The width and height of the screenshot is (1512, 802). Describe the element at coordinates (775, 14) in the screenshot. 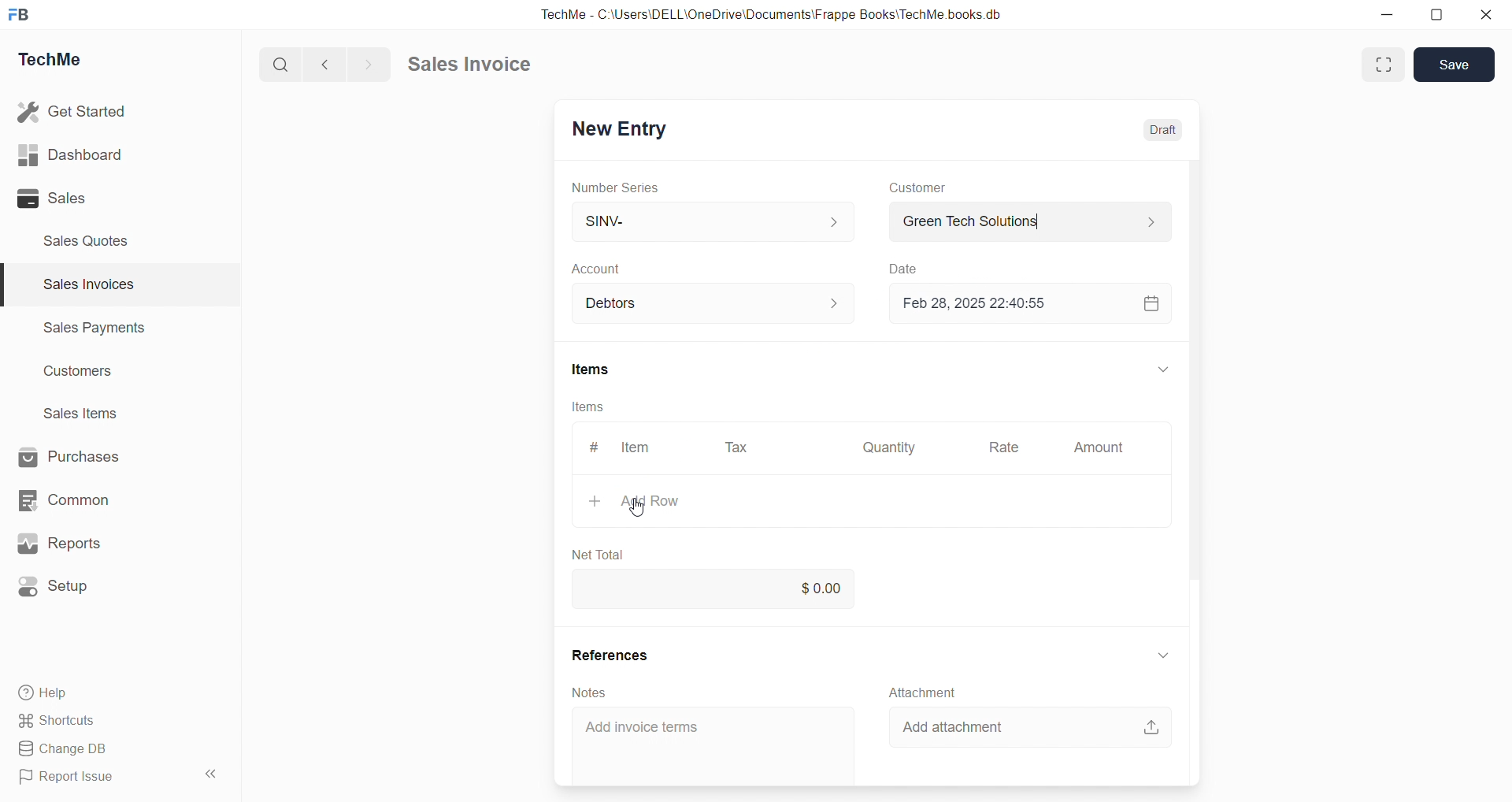

I see `TechMe - C:\Users\DELL\OneDrive\Documents\Frappe Books'TechMe books db` at that location.